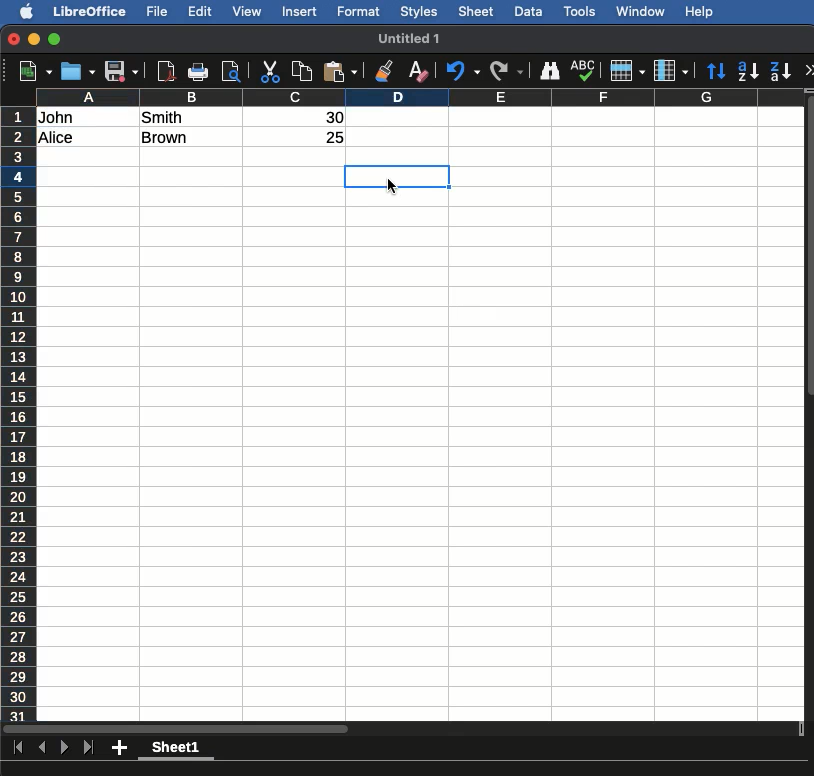  I want to click on Edit, so click(200, 10).